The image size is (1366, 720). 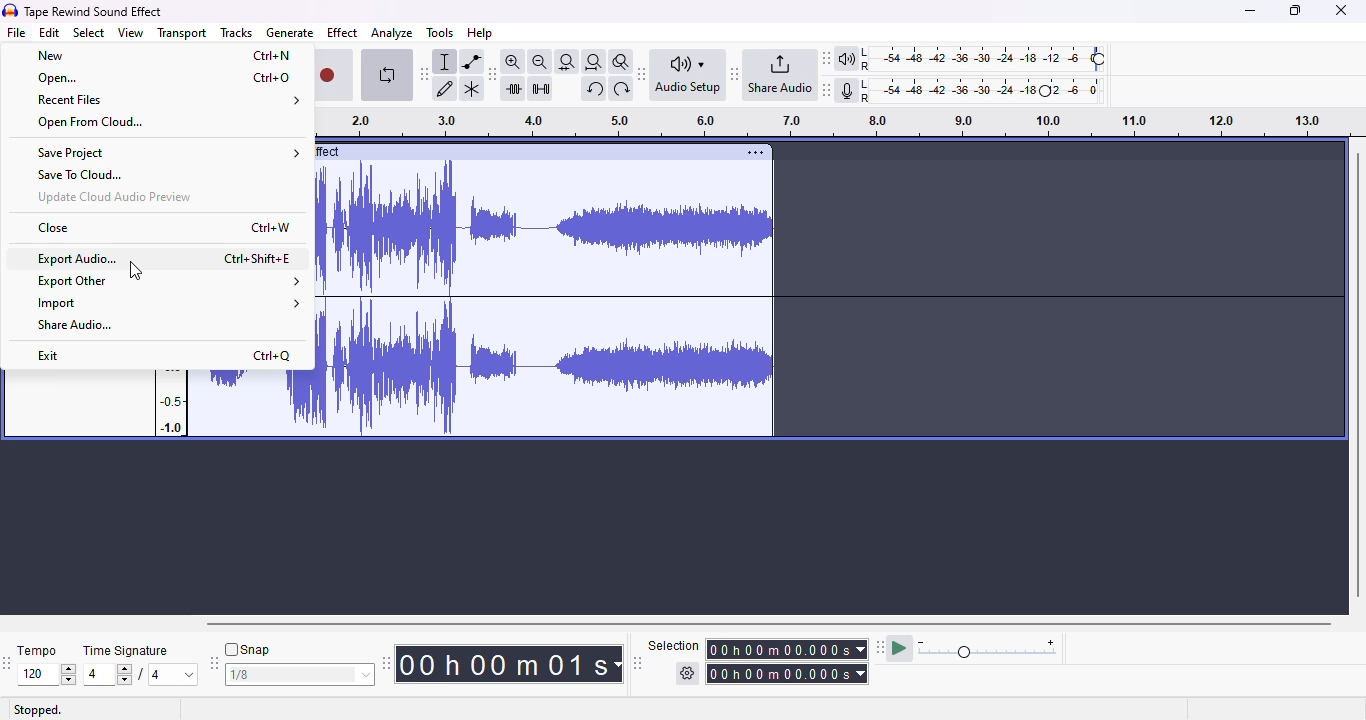 What do you see at coordinates (541, 91) in the screenshot?
I see `silence audio selection` at bounding box center [541, 91].